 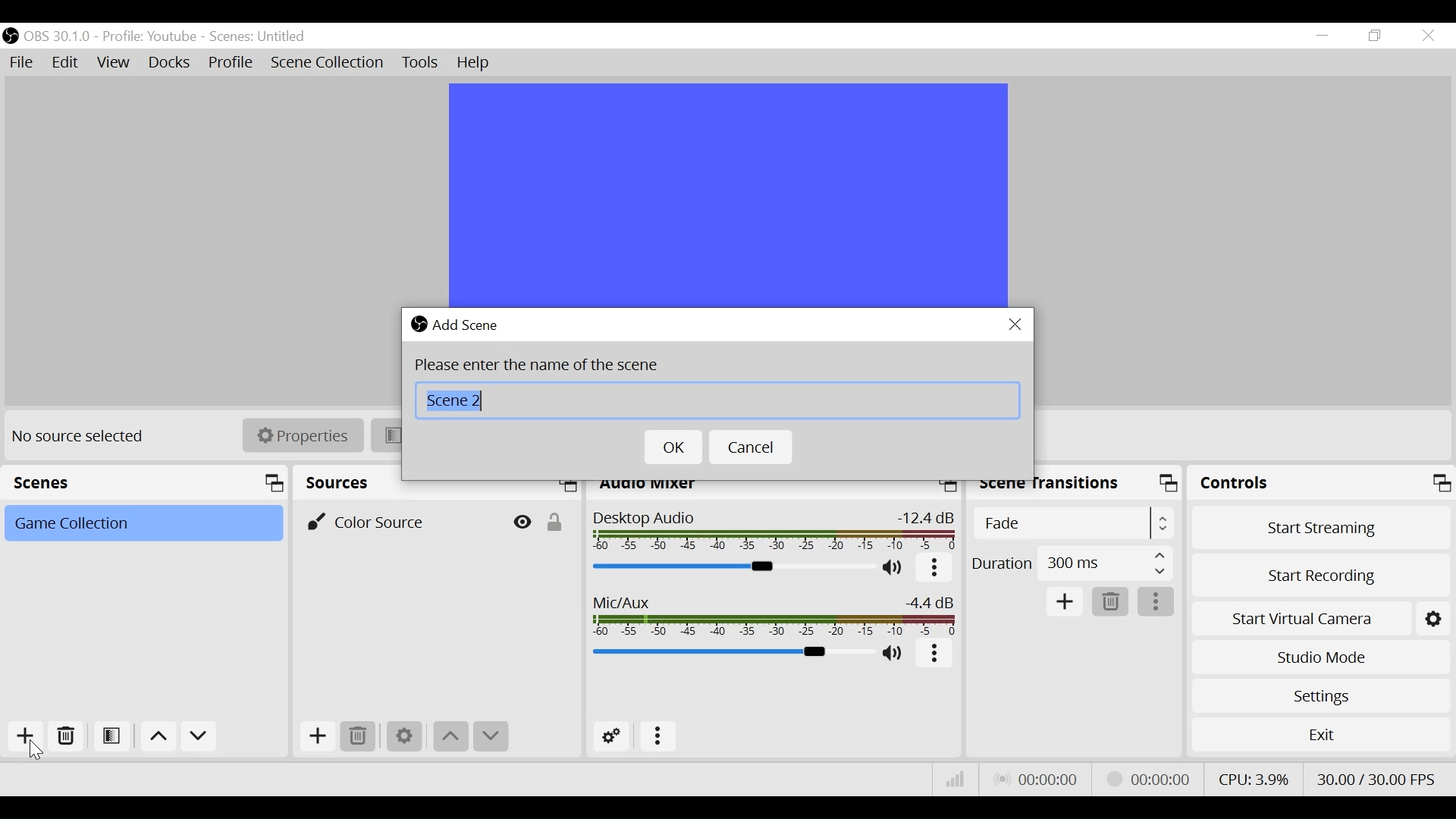 I want to click on Add, so click(x=1065, y=601).